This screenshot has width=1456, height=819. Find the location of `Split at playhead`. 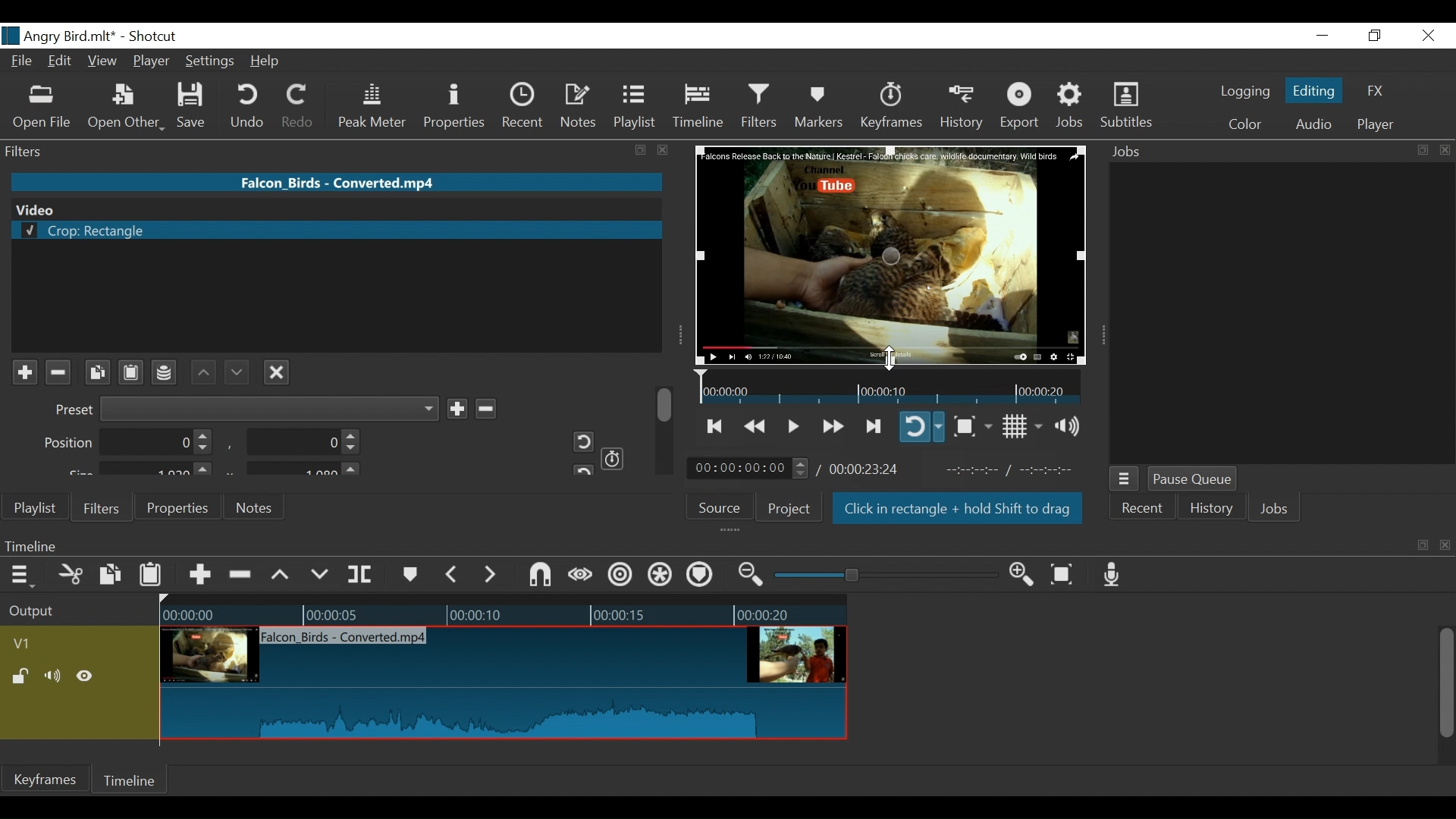

Split at playhead is located at coordinates (360, 575).